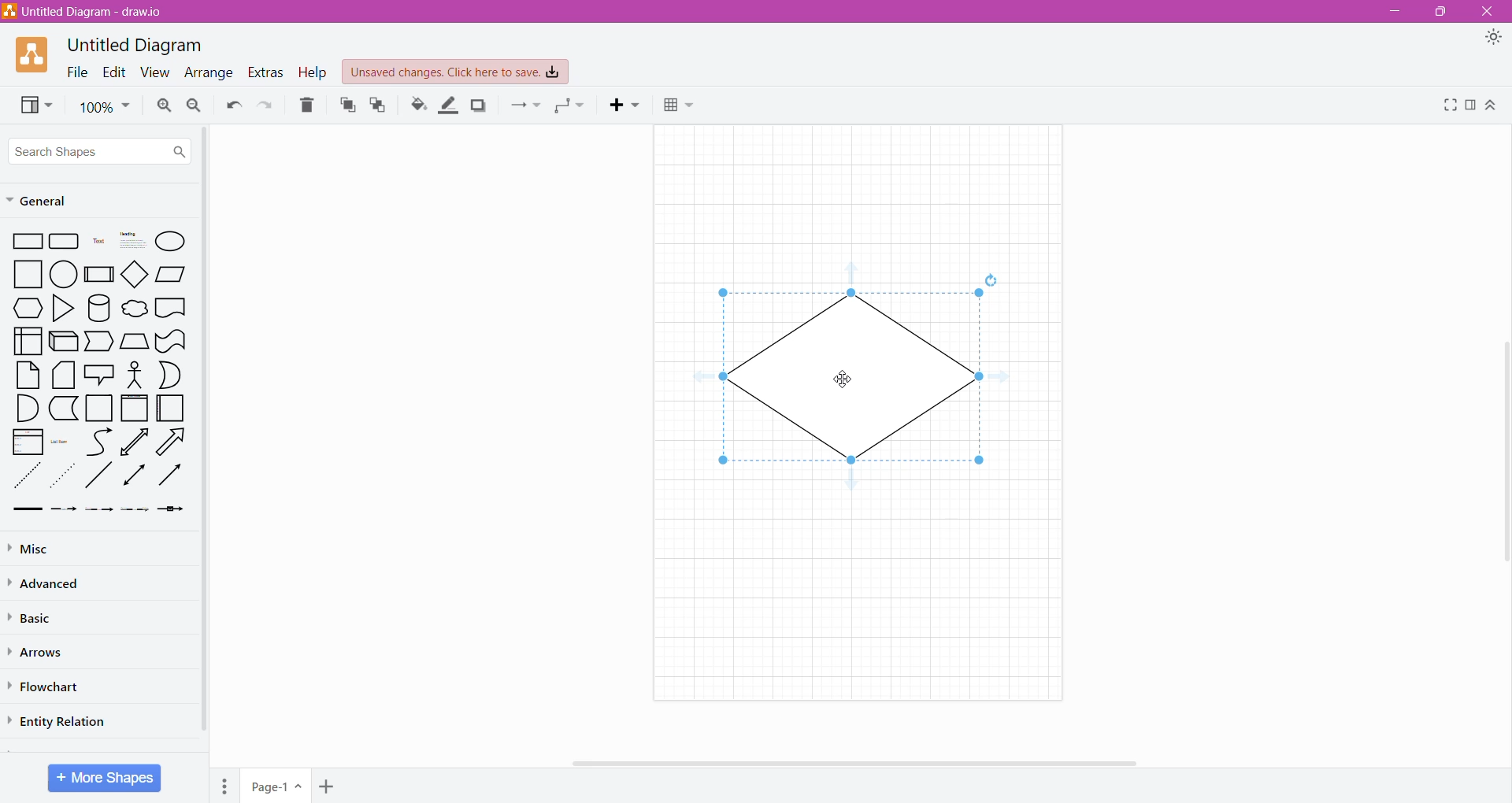  Describe the element at coordinates (208, 442) in the screenshot. I see `Vertical Scroll Bar` at that location.